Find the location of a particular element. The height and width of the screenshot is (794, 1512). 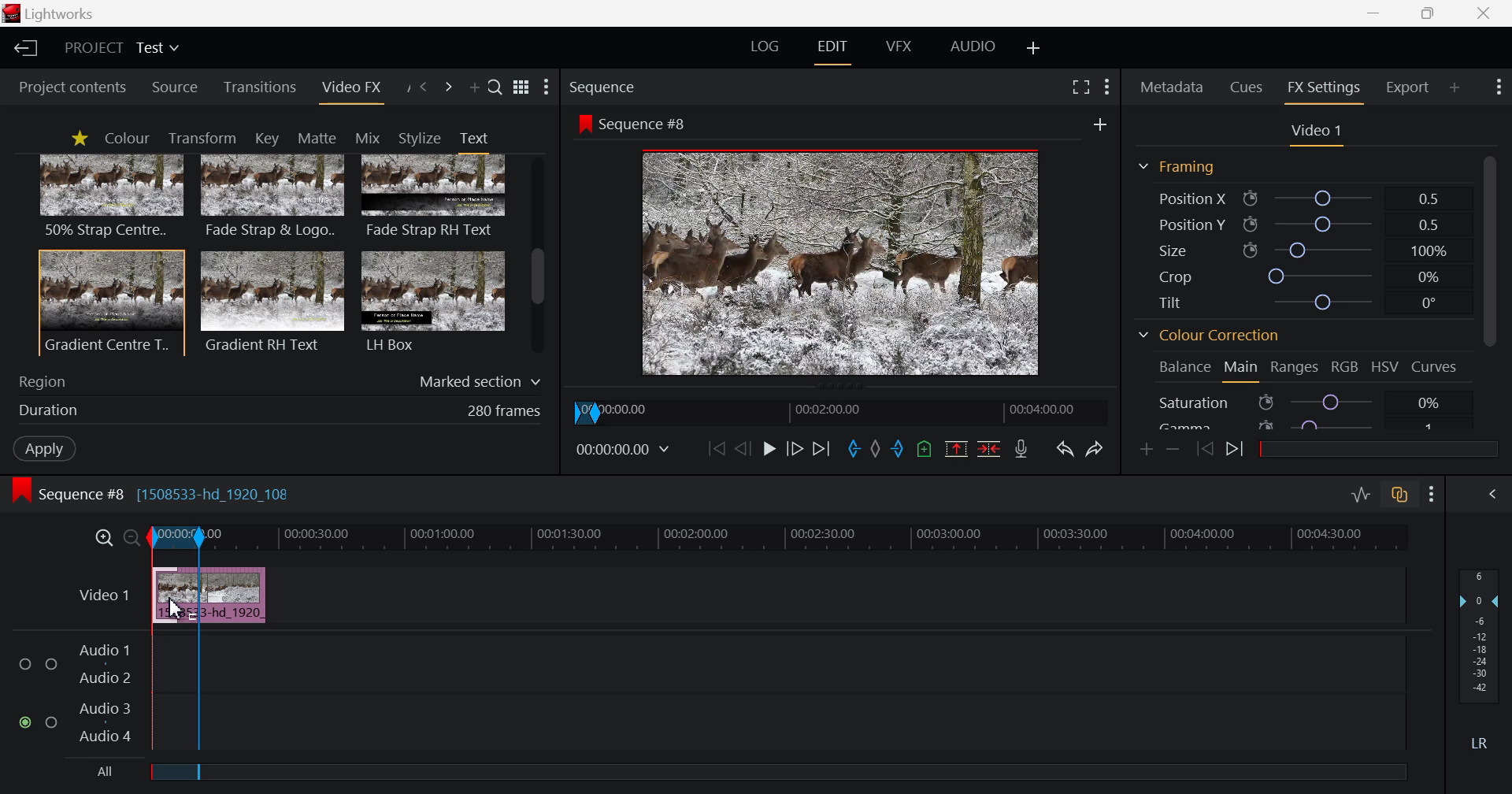

EDIT Layout is located at coordinates (836, 48).